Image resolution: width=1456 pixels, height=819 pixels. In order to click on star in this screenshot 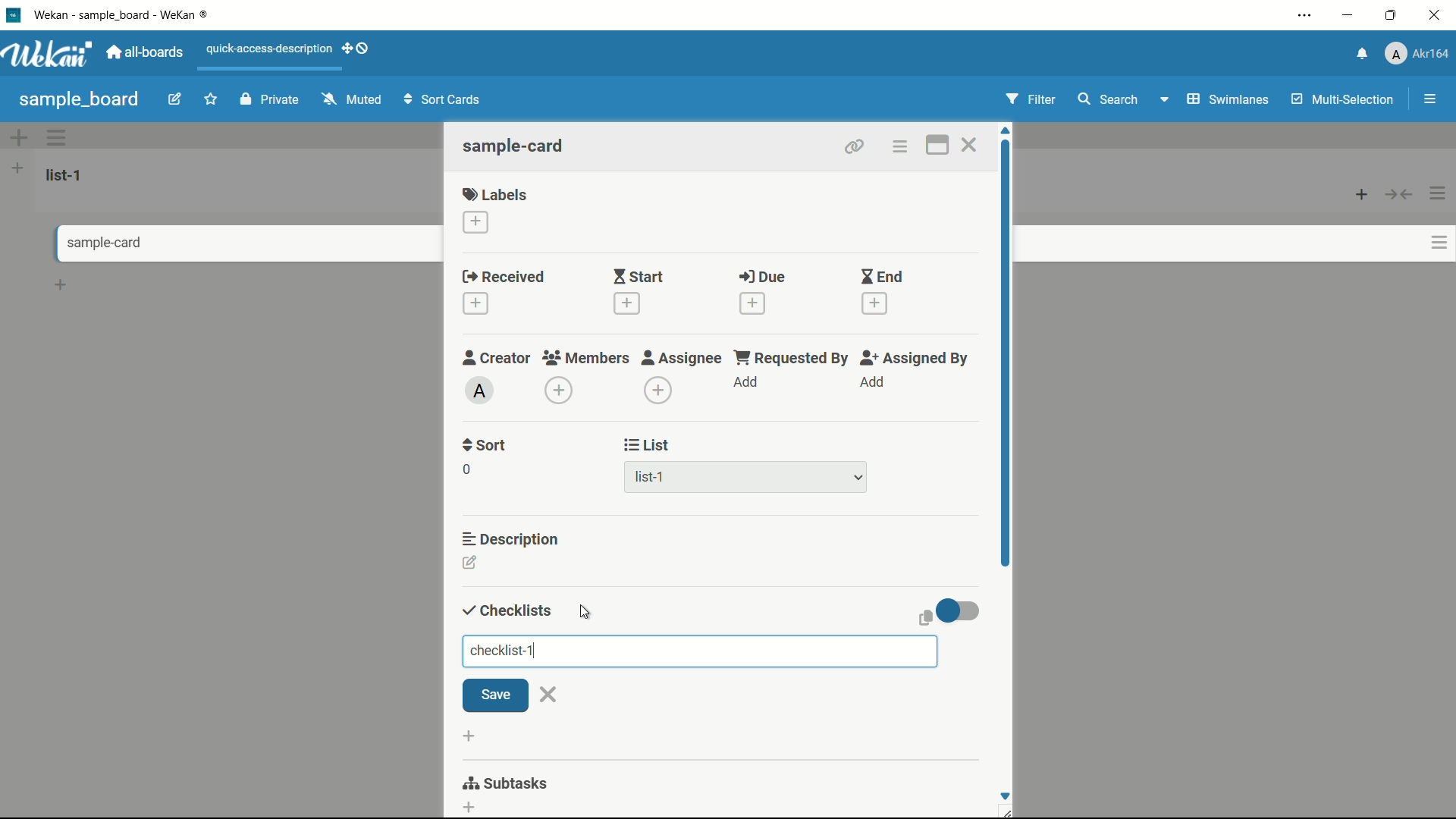, I will do `click(213, 101)`.